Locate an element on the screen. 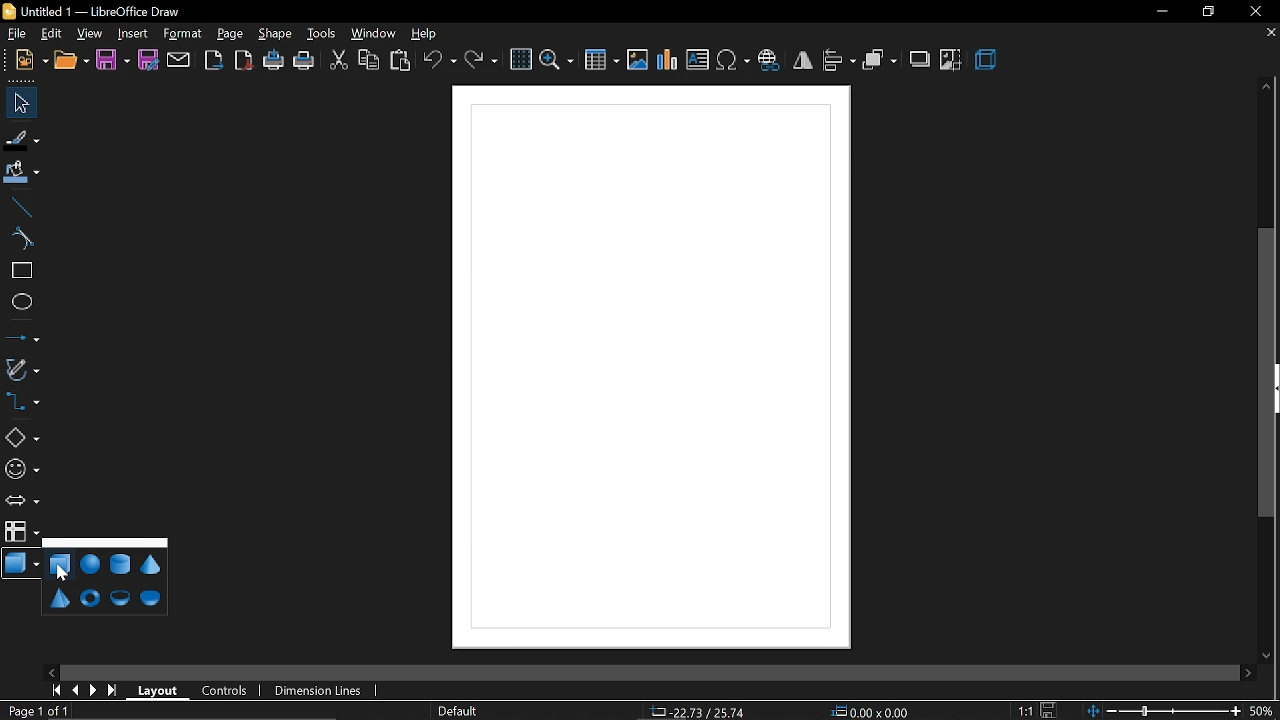  file is located at coordinates (16, 34).